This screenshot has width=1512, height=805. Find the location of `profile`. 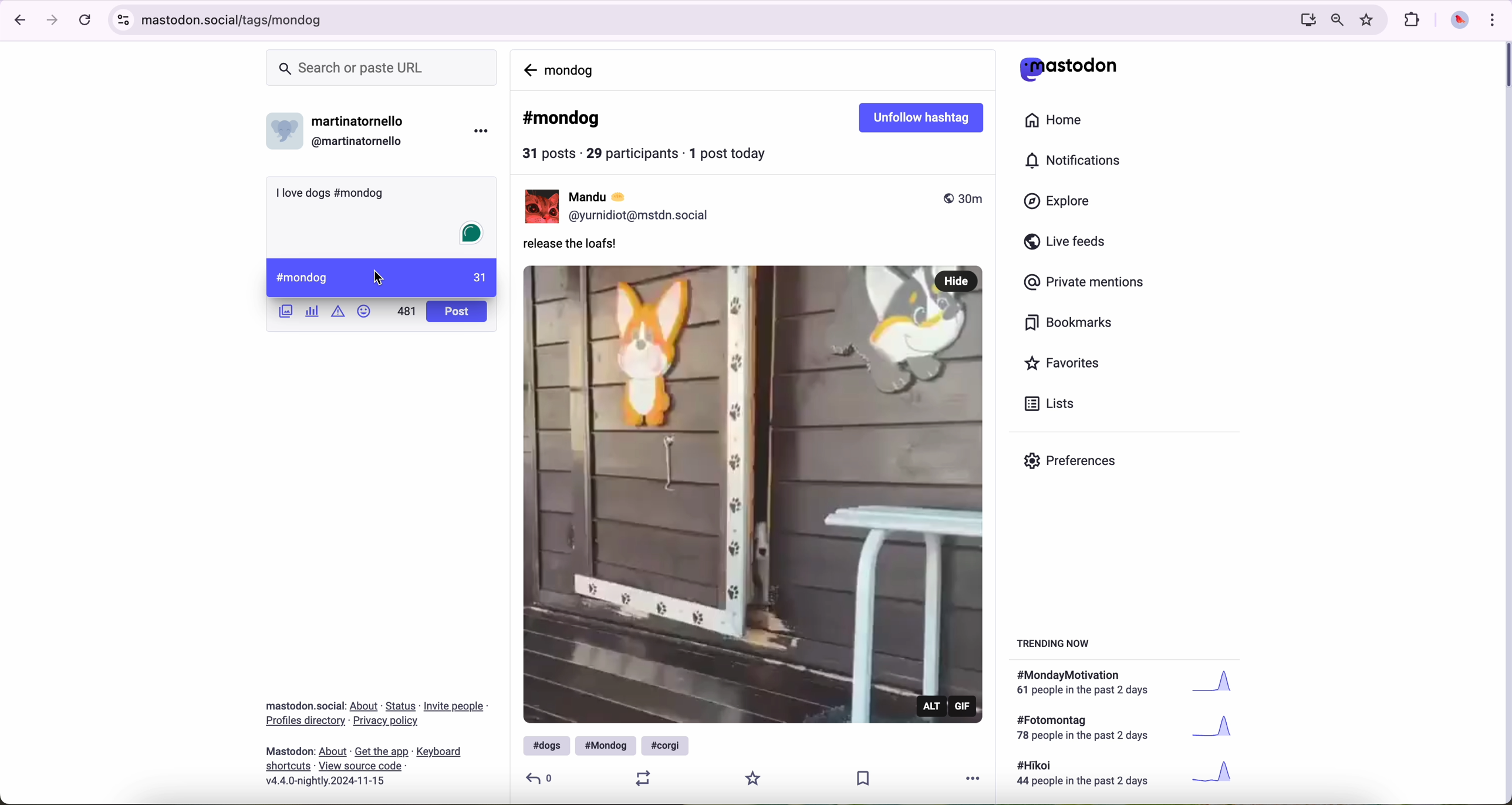

profile is located at coordinates (285, 135).